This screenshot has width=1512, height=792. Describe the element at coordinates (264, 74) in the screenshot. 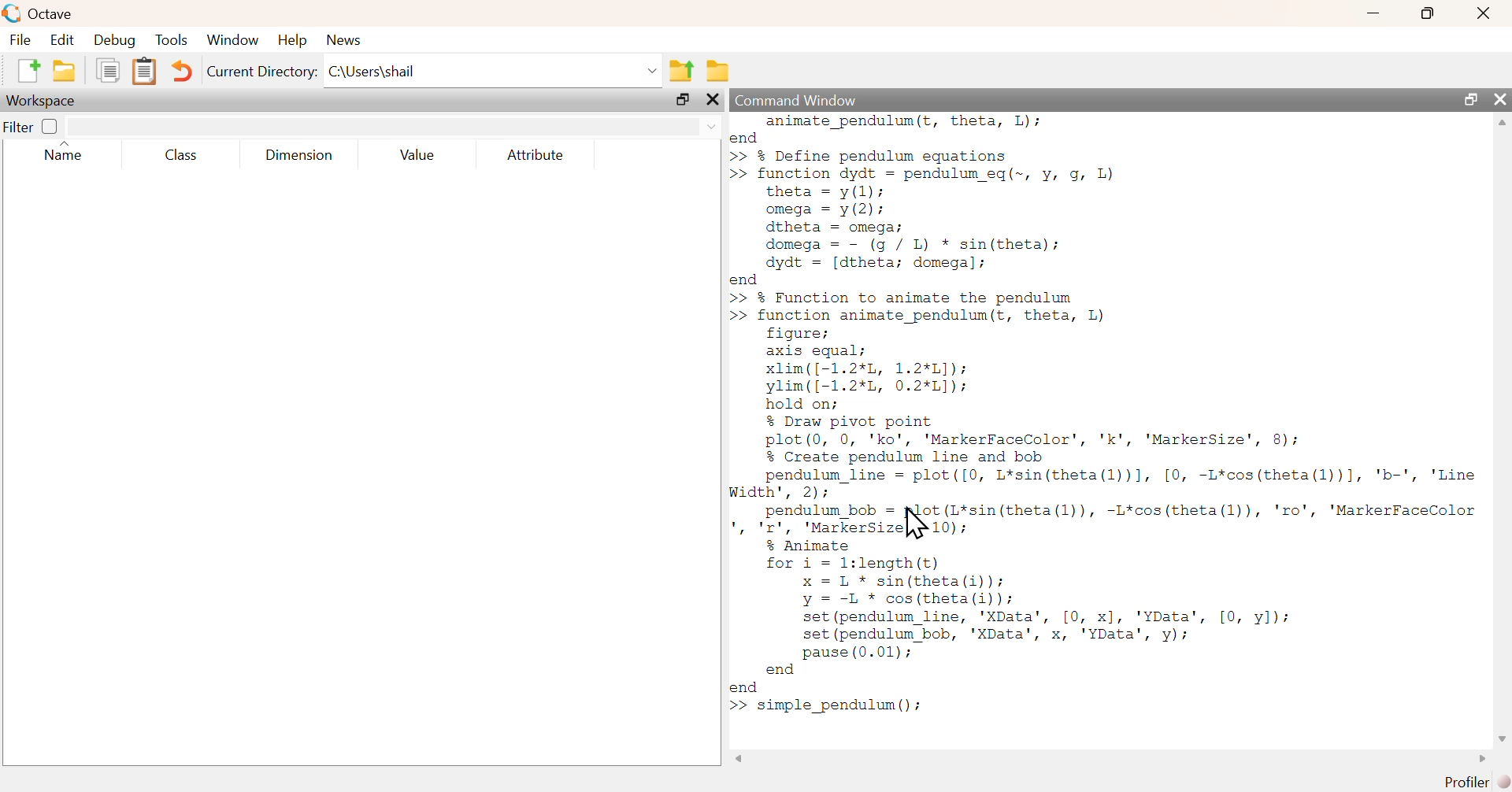

I see `Current Directory:` at that location.